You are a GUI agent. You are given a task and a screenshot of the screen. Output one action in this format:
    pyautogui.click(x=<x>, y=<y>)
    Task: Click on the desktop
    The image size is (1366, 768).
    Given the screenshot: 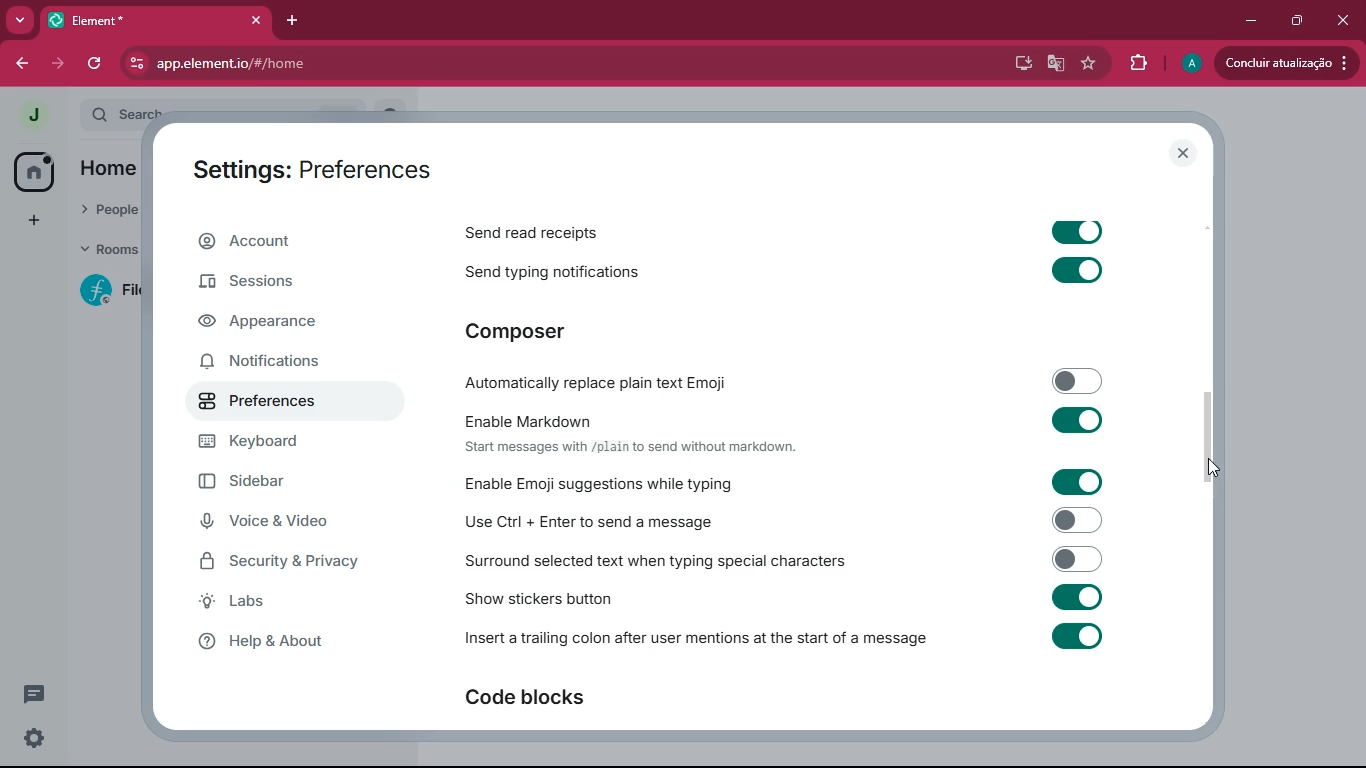 What is the action you would take?
    pyautogui.click(x=1022, y=65)
    